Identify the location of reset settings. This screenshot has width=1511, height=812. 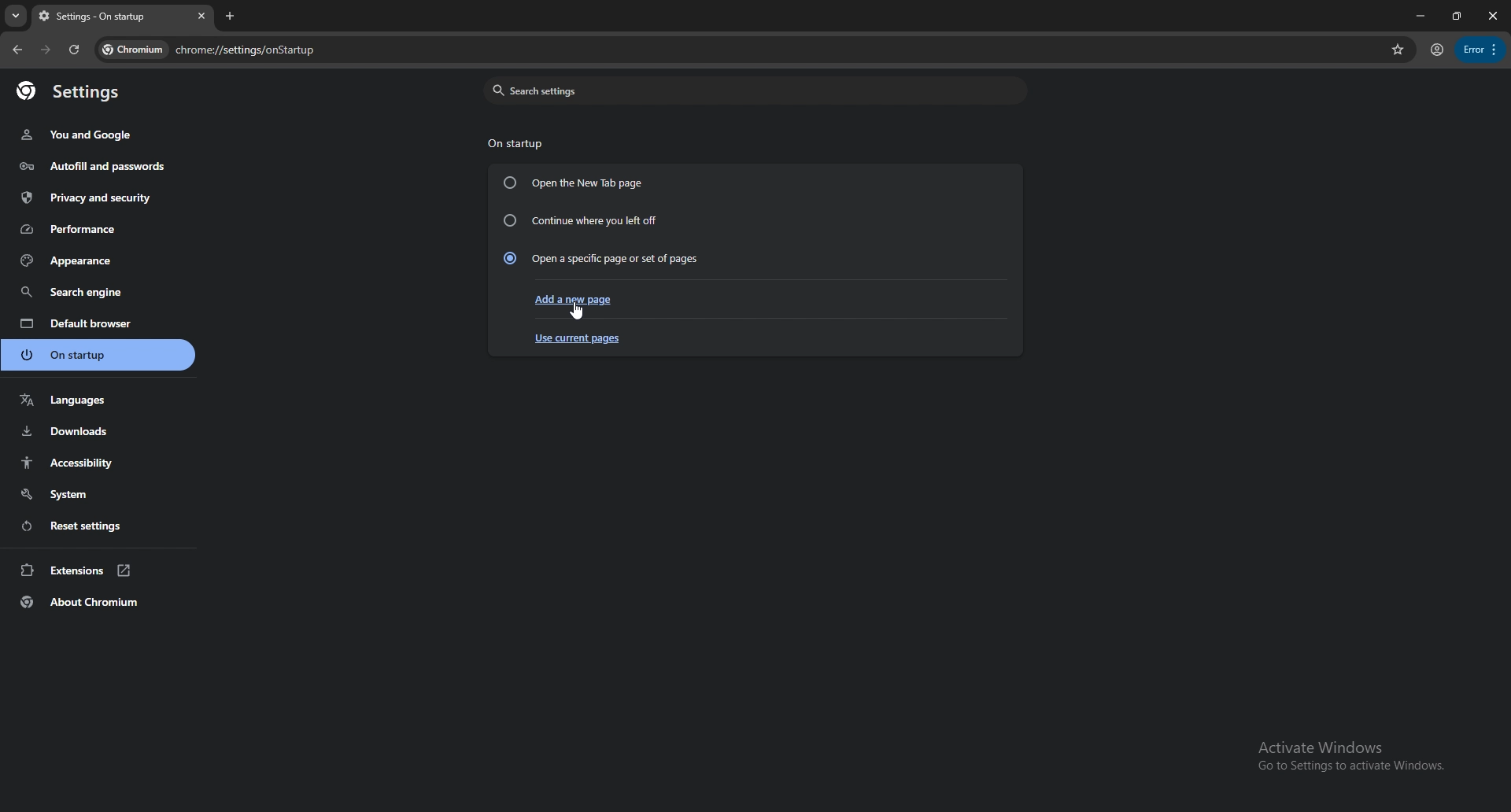
(98, 525).